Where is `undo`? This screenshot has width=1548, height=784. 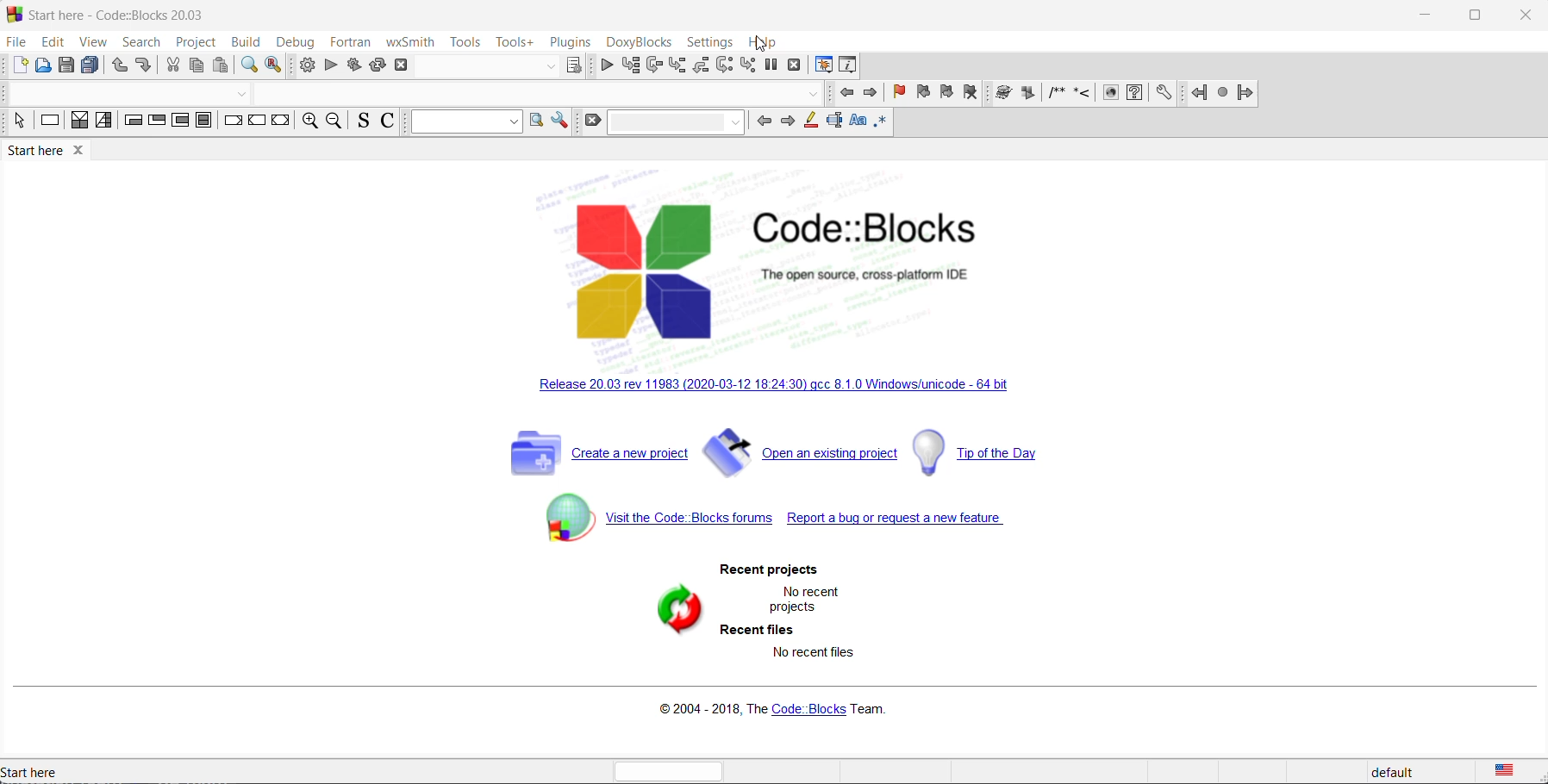
undo is located at coordinates (121, 65).